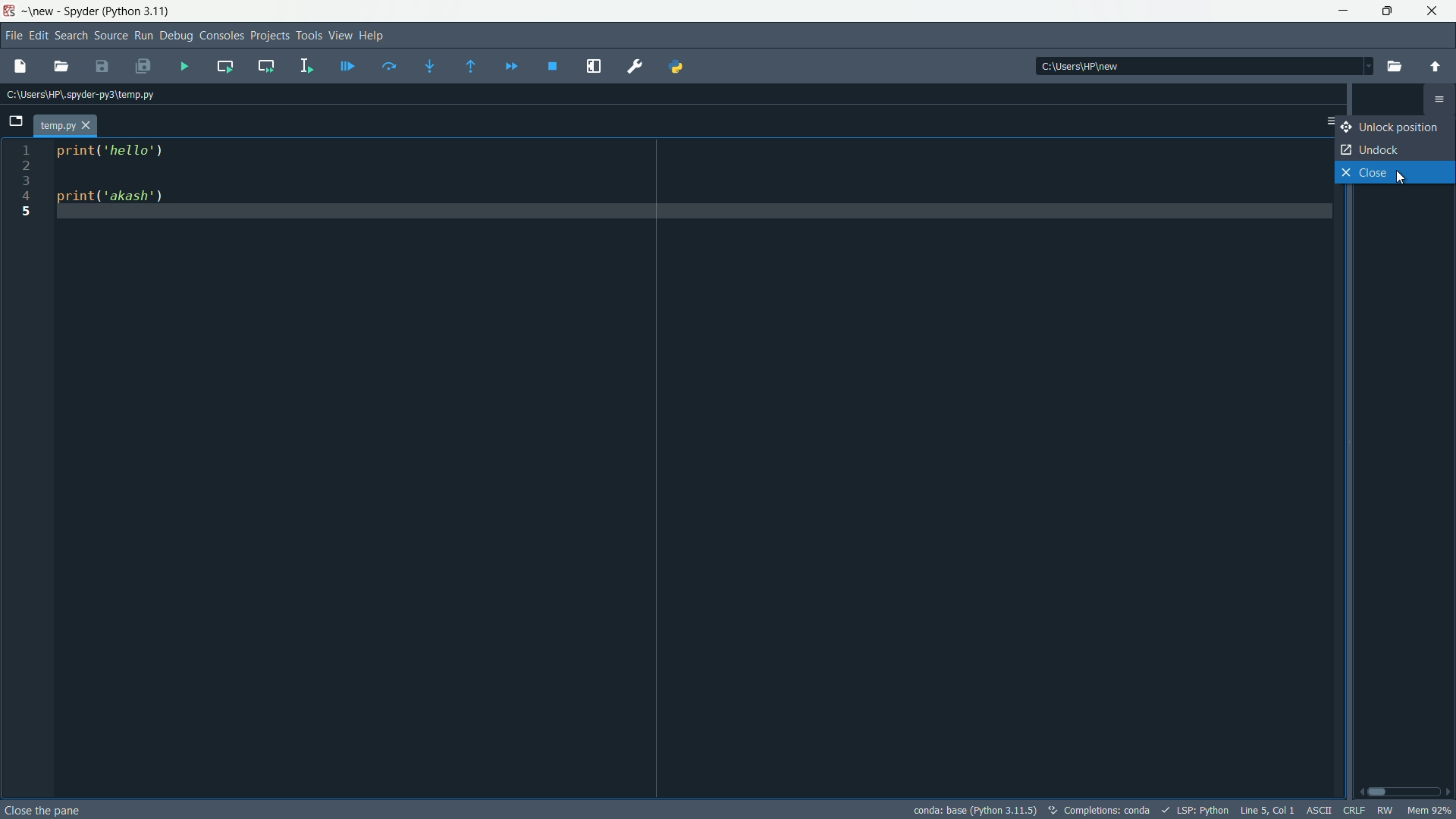 This screenshot has height=819, width=1456. What do you see at coordinates (136, 11) in the screenshot?
I see `python 3.11` at bounding box center [136, 11].